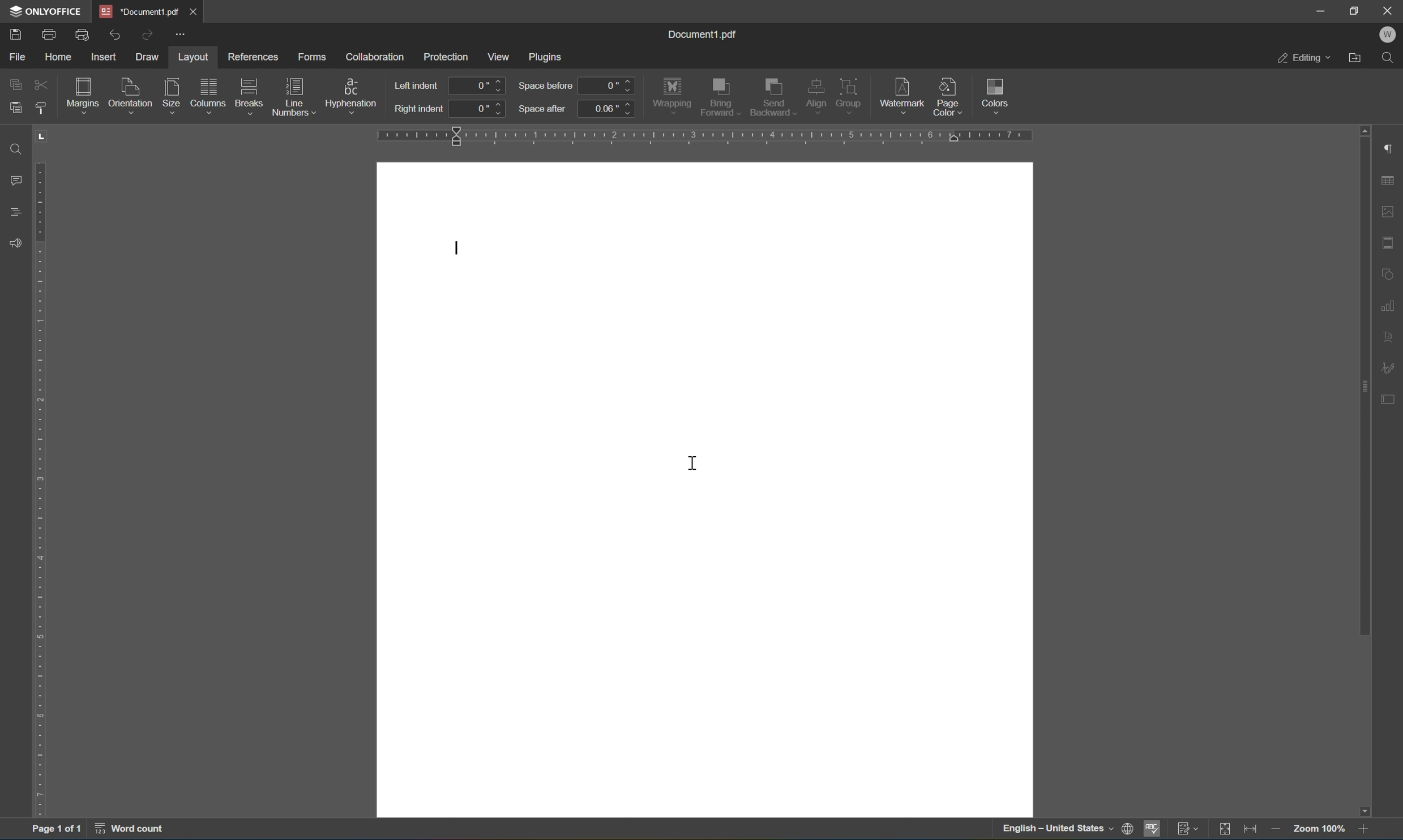 The height and width of the screenshot is (840, 1403). What do you see at coordinates (1067, 830) in the screenshot?
I see `set document language` at bounding box center [1067, 830].